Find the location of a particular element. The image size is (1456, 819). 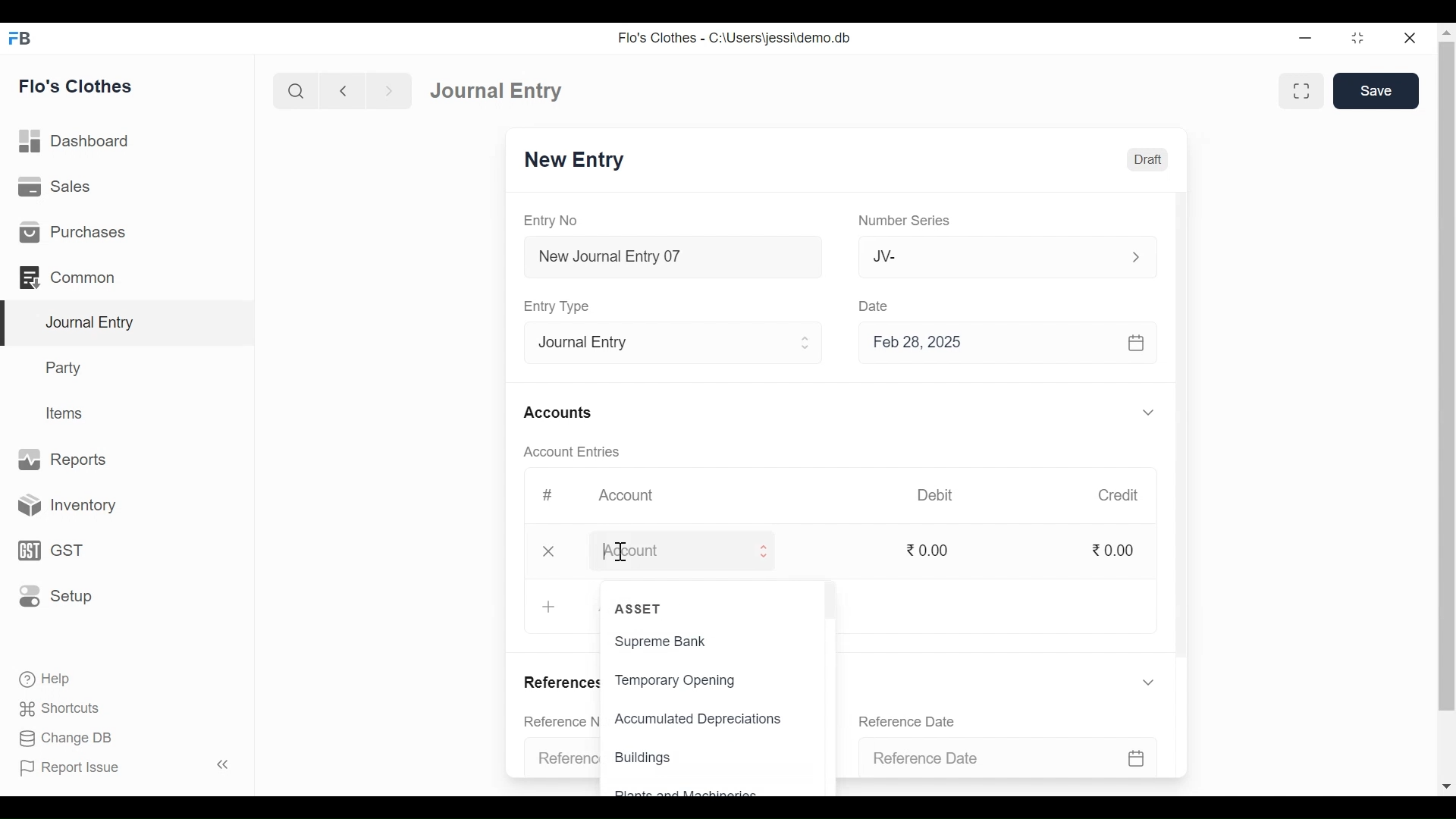

Restore is located at coordinates (1358, 39).